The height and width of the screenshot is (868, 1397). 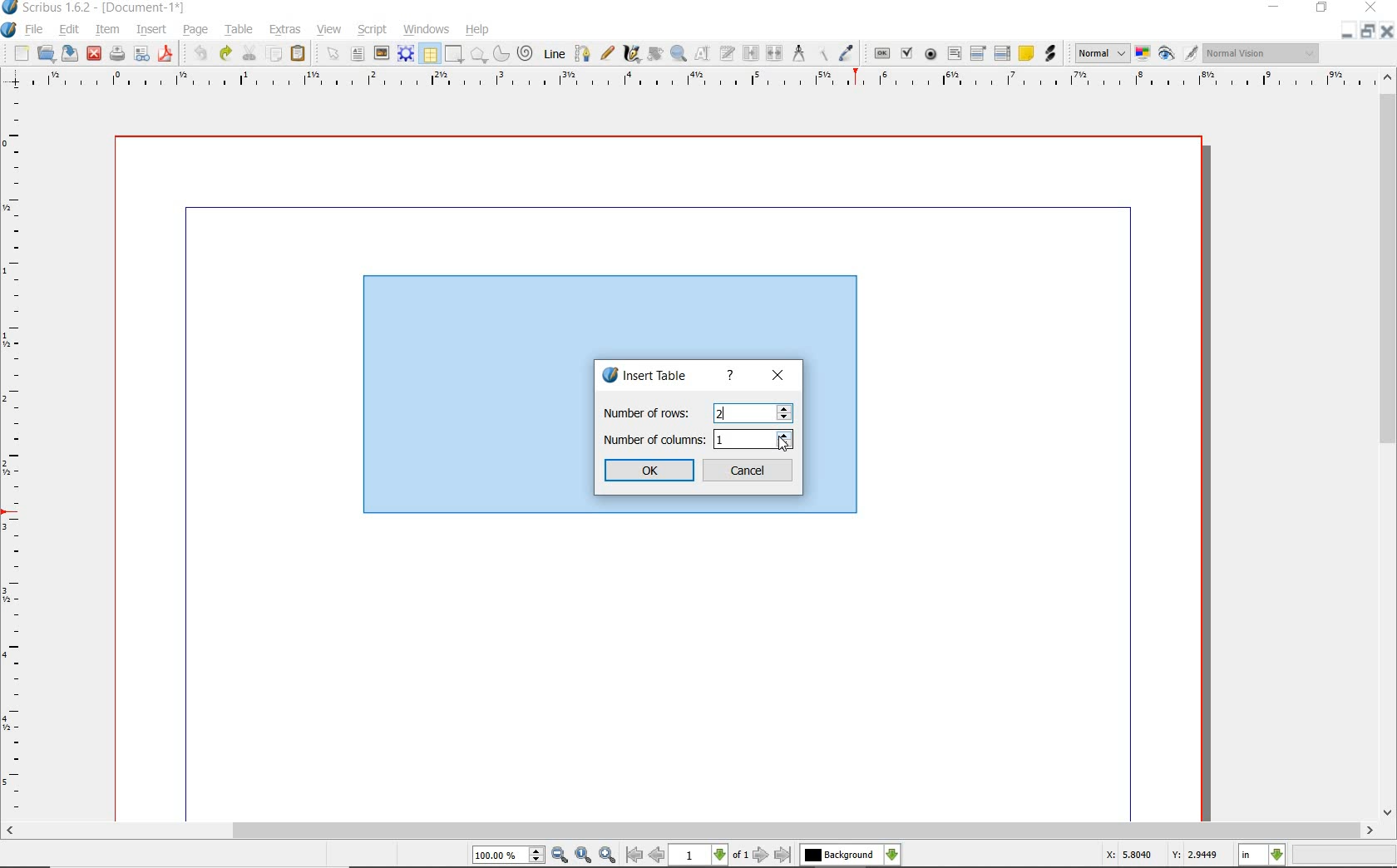 What do you see at coordinates (882, 52) in the screenshot?
I see `pdf push button` at bounding box center [882, 52].